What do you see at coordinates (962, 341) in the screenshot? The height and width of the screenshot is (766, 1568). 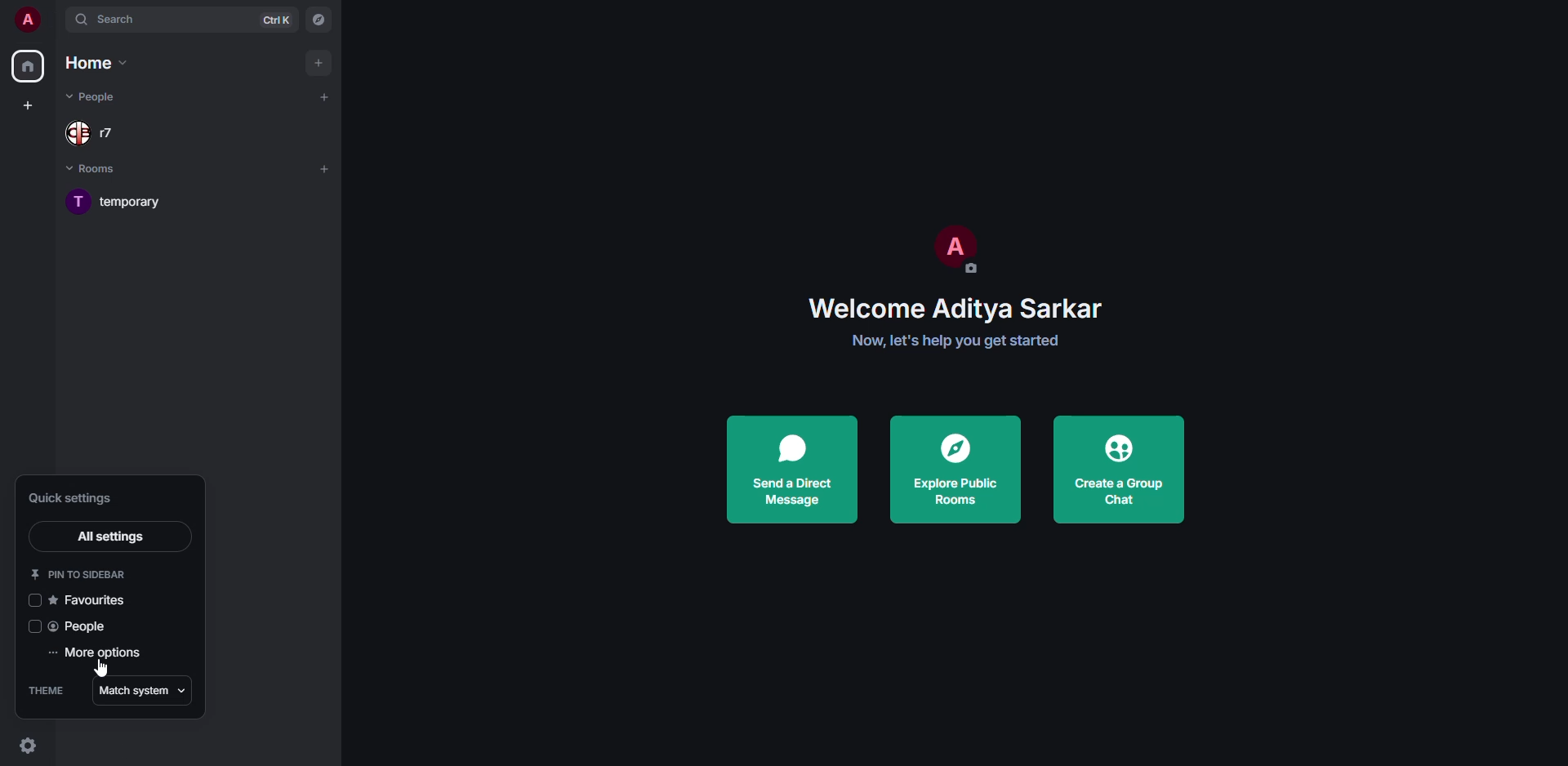 I see `get started` at bounding box center [962, 341].